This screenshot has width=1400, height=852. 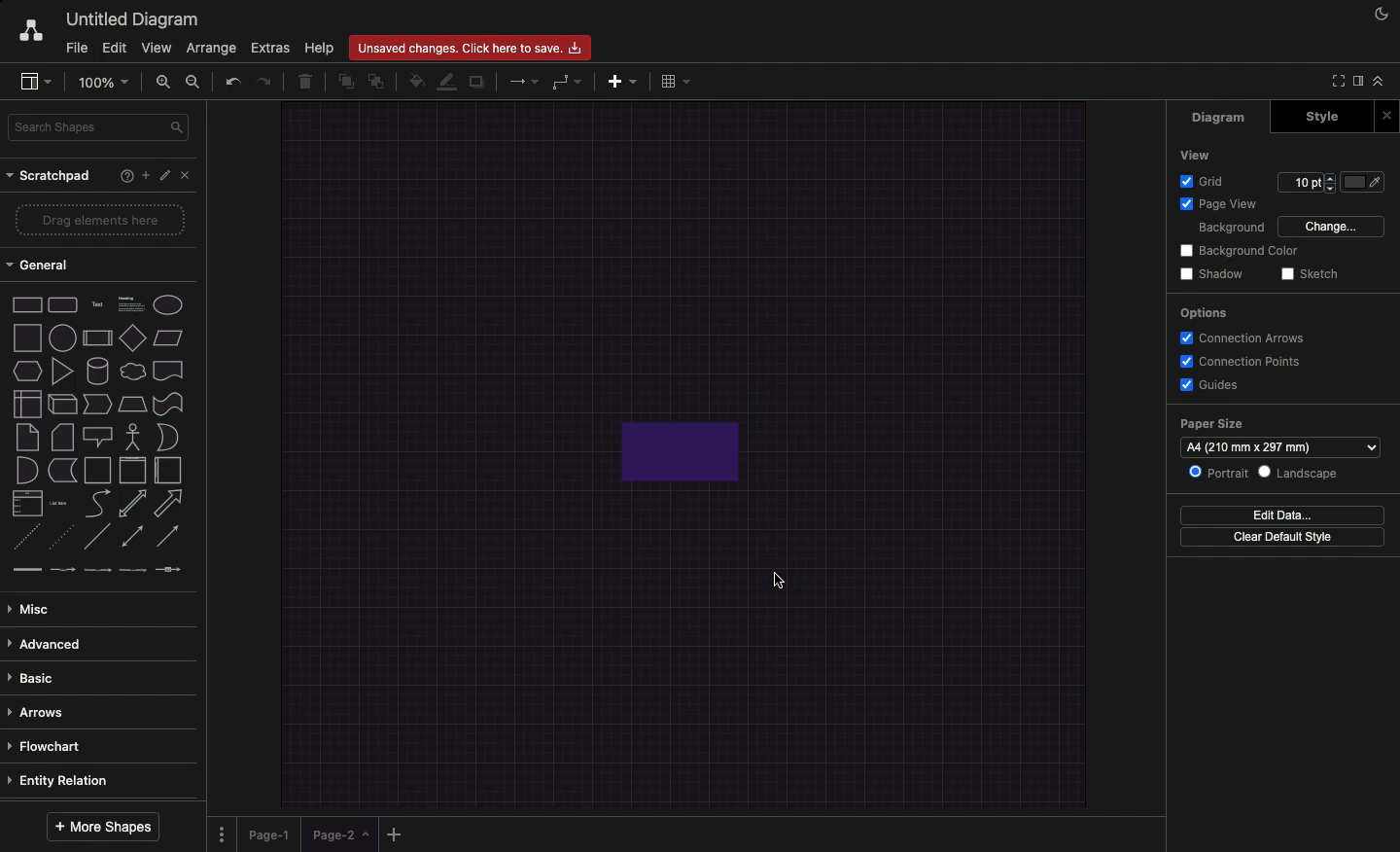 I want to click on Help, so click(x=320, y=48).